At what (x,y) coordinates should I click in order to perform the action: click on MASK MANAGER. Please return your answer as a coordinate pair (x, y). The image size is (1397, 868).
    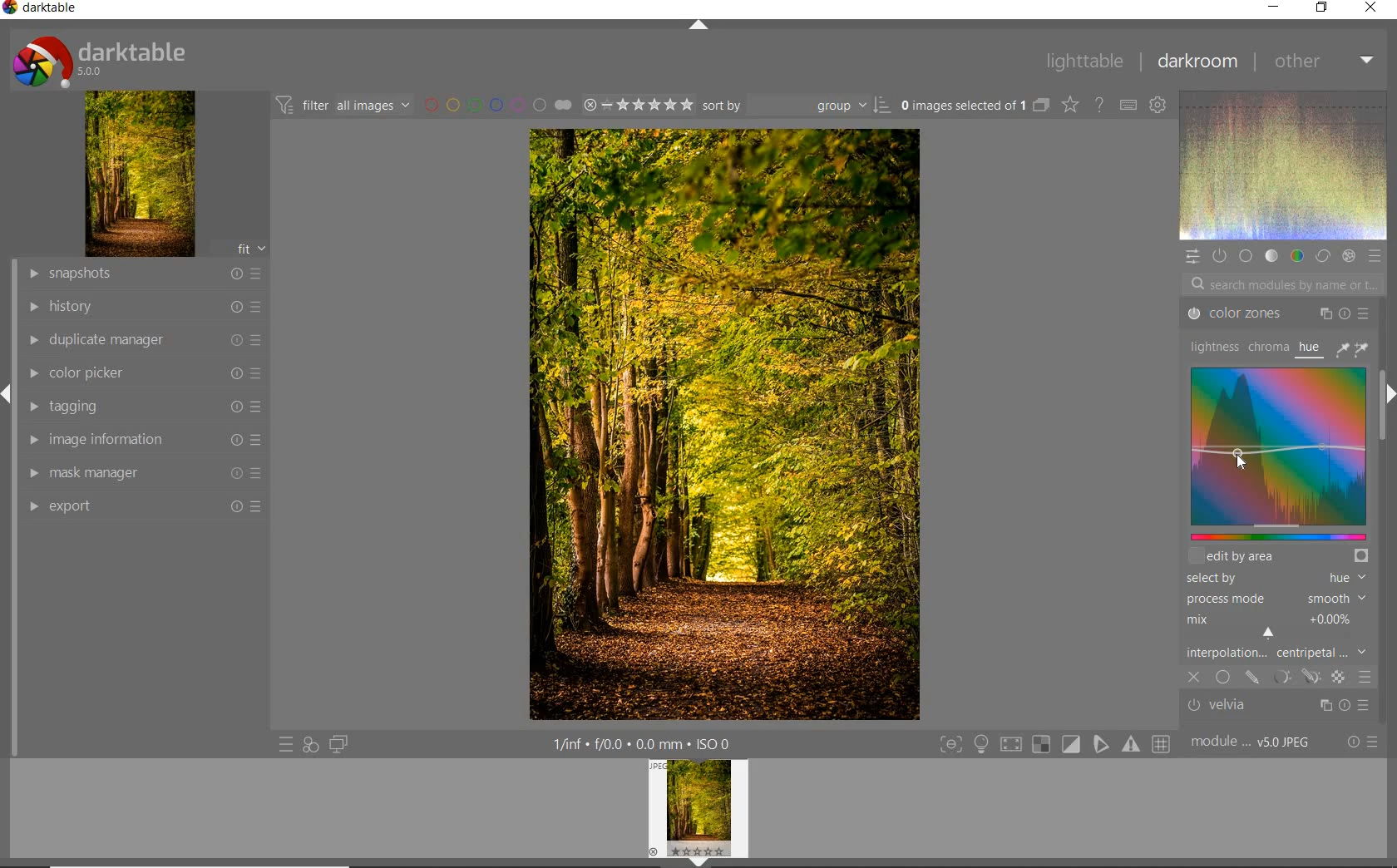
    Looking at the image, I should click on (141, 475).